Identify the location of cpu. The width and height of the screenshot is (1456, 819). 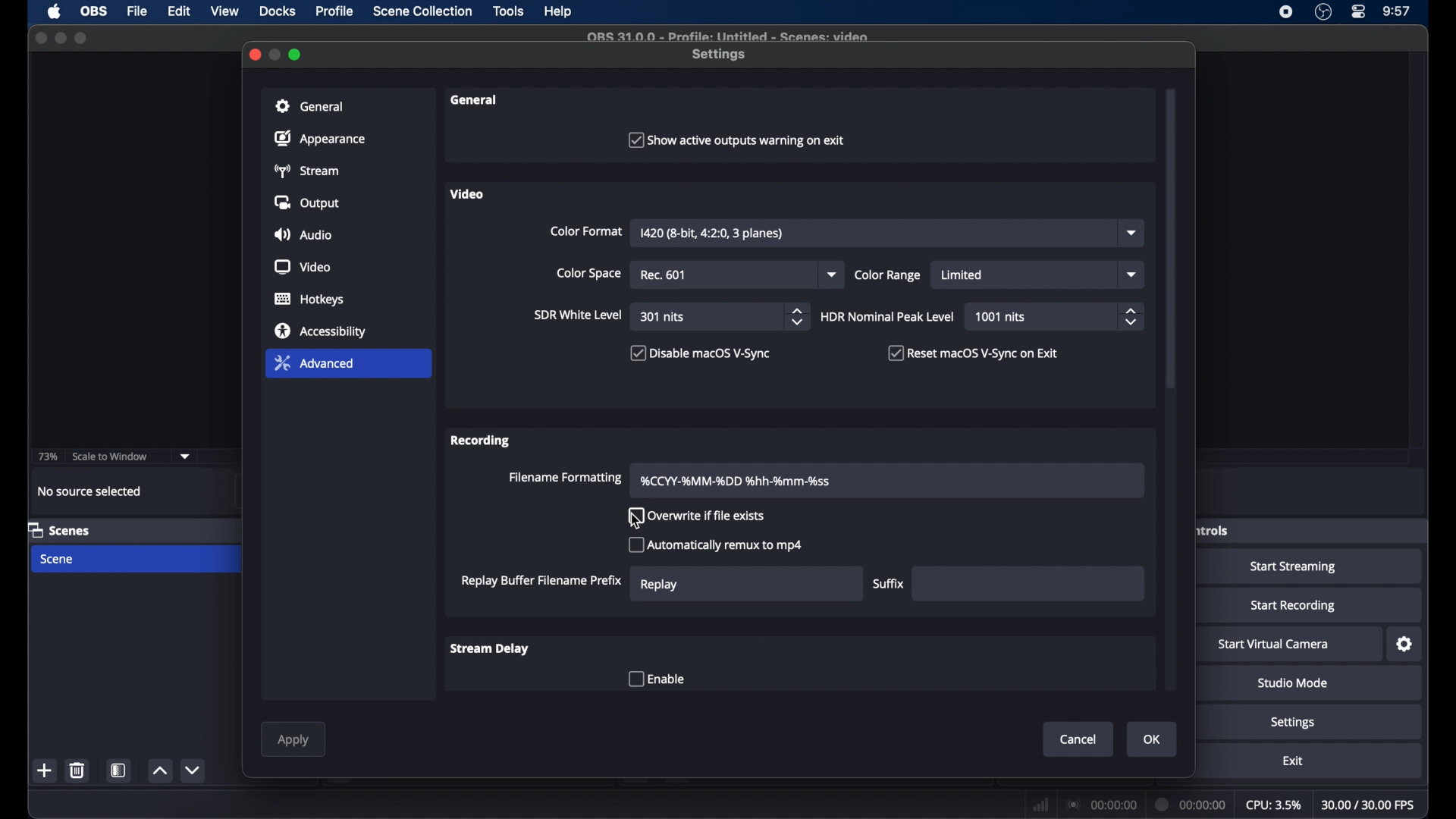
(1273, 804).